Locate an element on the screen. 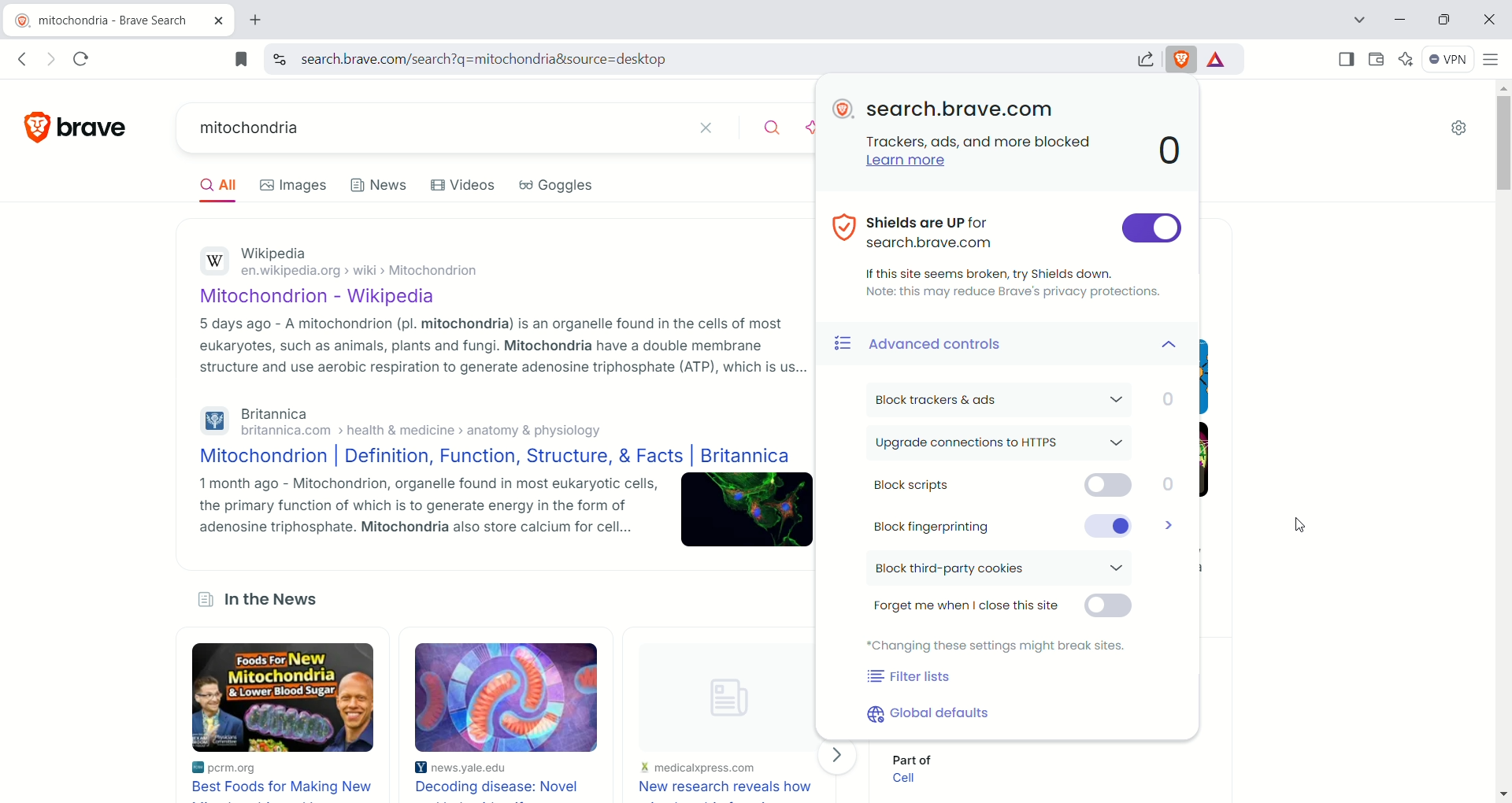  upgrade connections to HTTPS is located at coordinates (1004, 444).